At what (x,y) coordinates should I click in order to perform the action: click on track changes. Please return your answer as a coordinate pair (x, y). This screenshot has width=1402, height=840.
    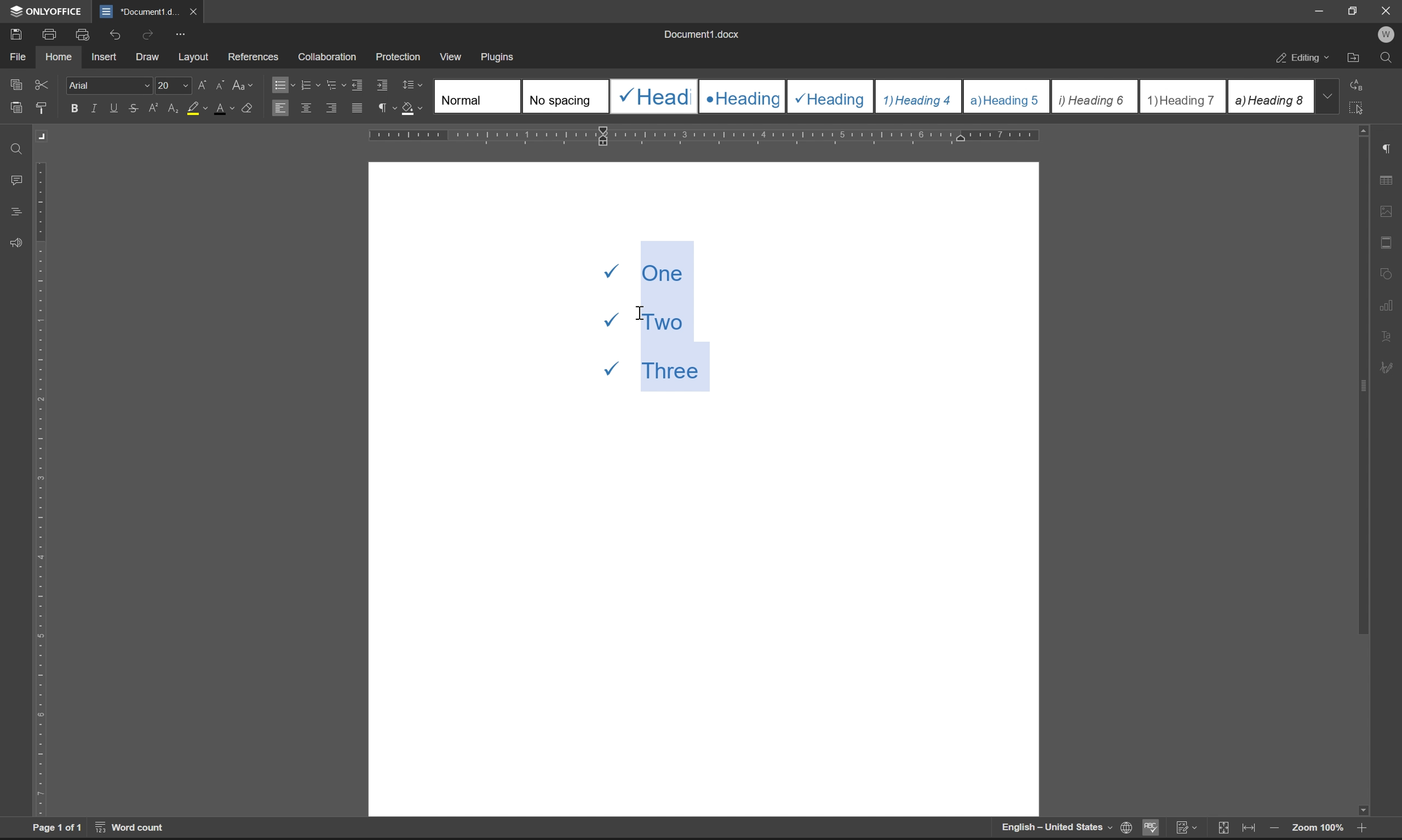
    Looking at the image, I should click on (1186, 828).